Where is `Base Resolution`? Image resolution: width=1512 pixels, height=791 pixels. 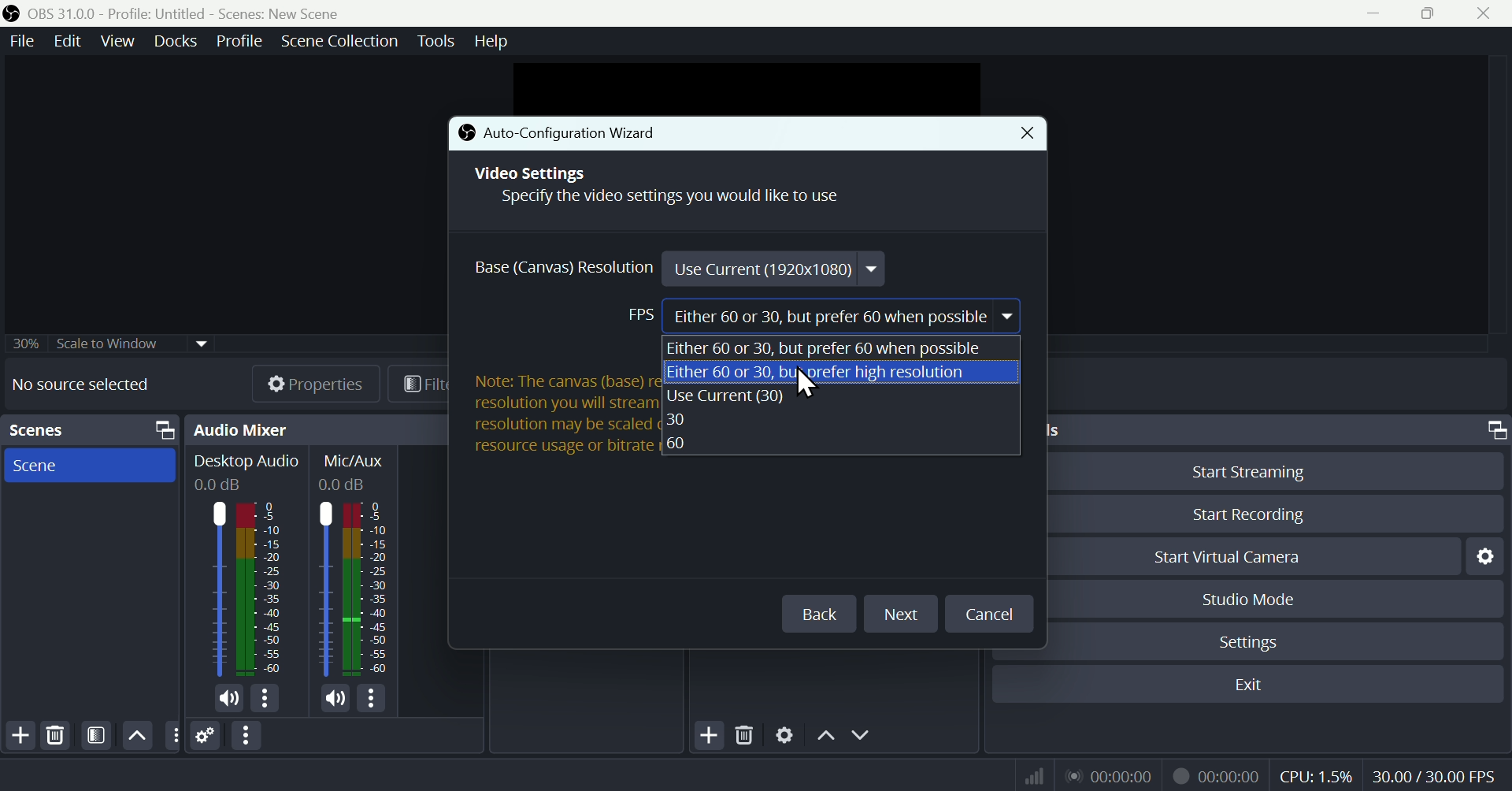 Base Resolution is located at coordinates (557, 268).